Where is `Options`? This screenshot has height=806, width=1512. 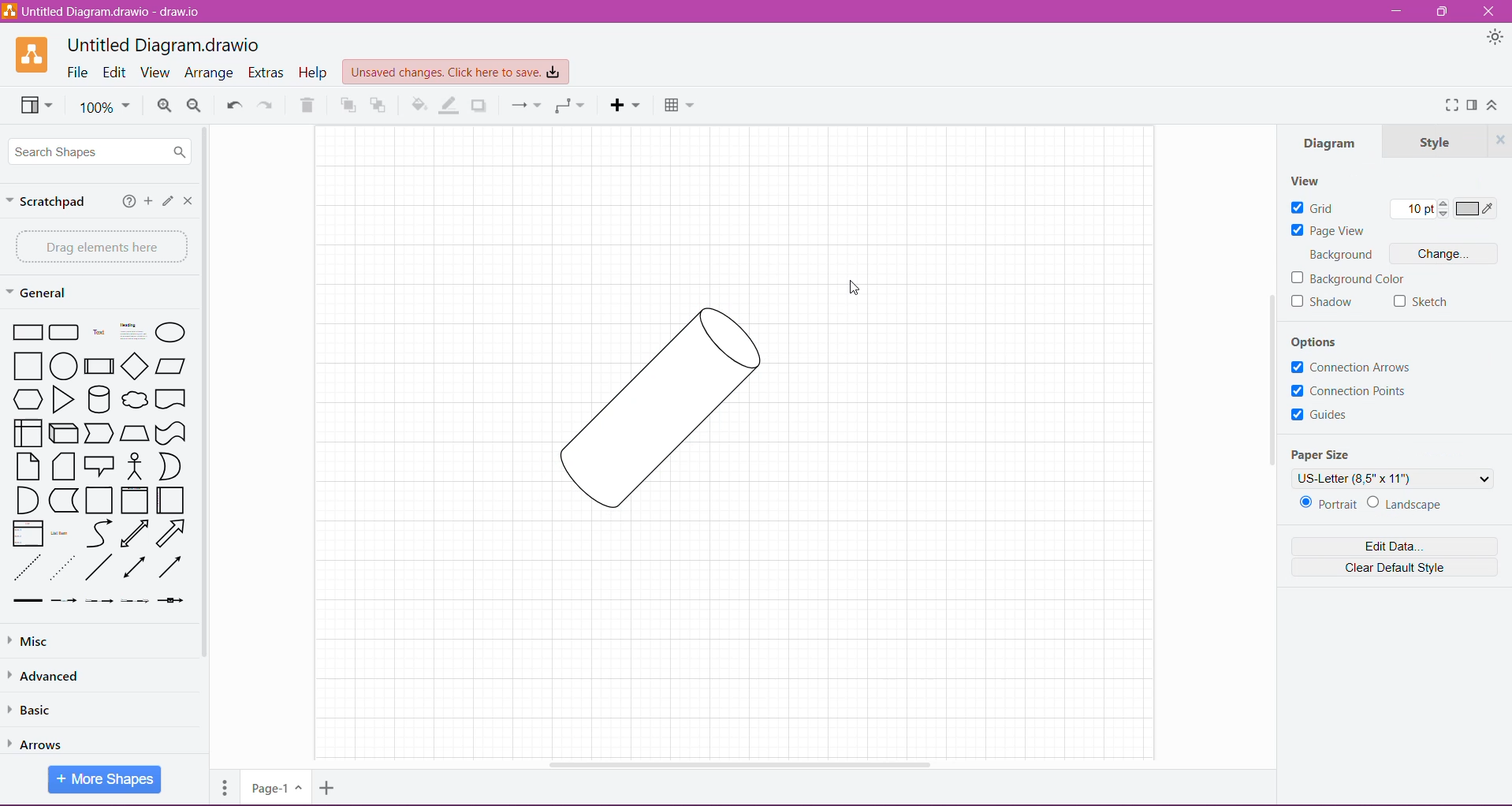 Options is located at coordinates (1326, 340).